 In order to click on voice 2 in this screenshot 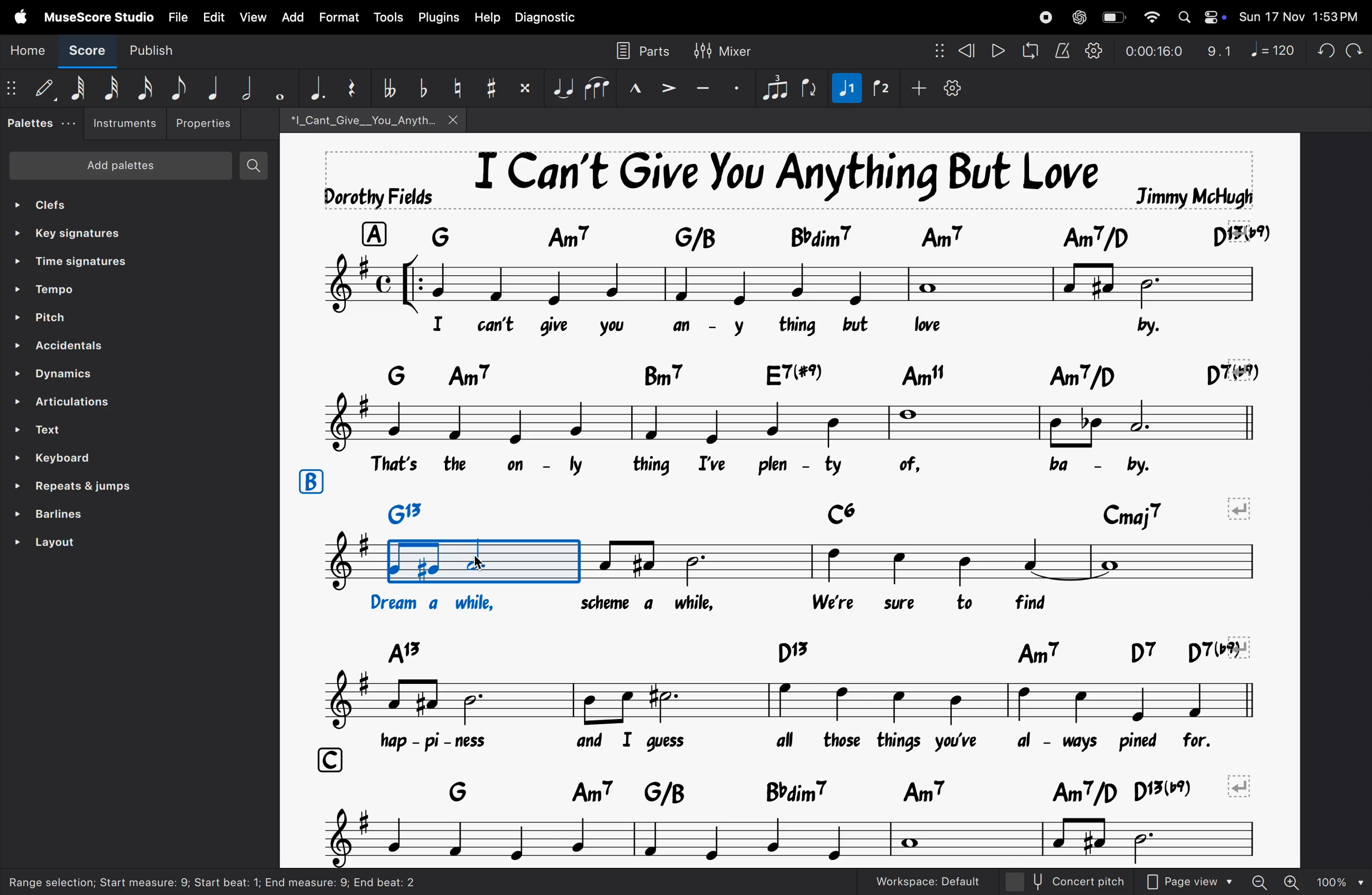, I will do `click(847, 87)`.